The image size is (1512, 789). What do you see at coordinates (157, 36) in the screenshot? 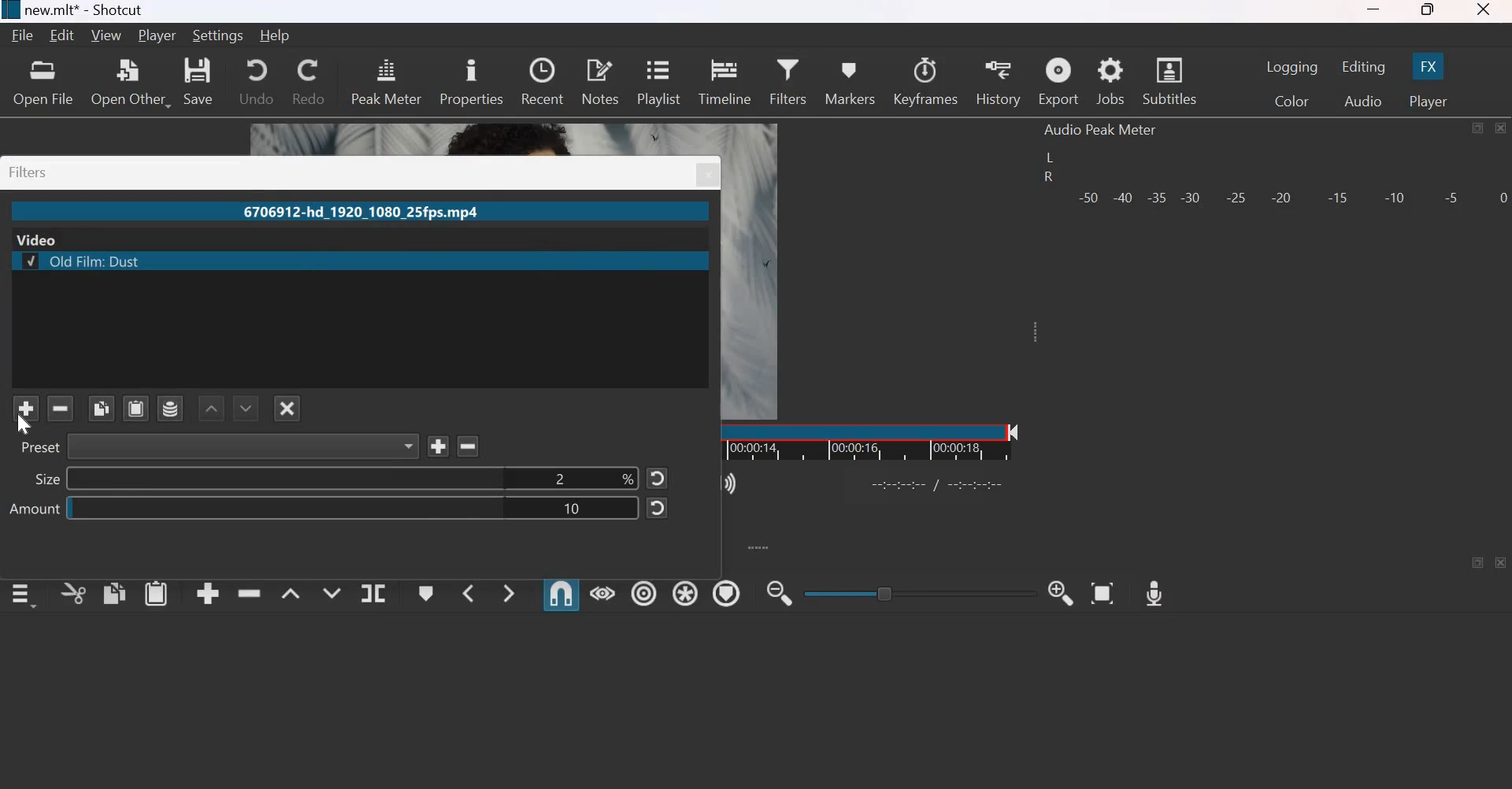
I see `Player` at bounding box center [157, 36].